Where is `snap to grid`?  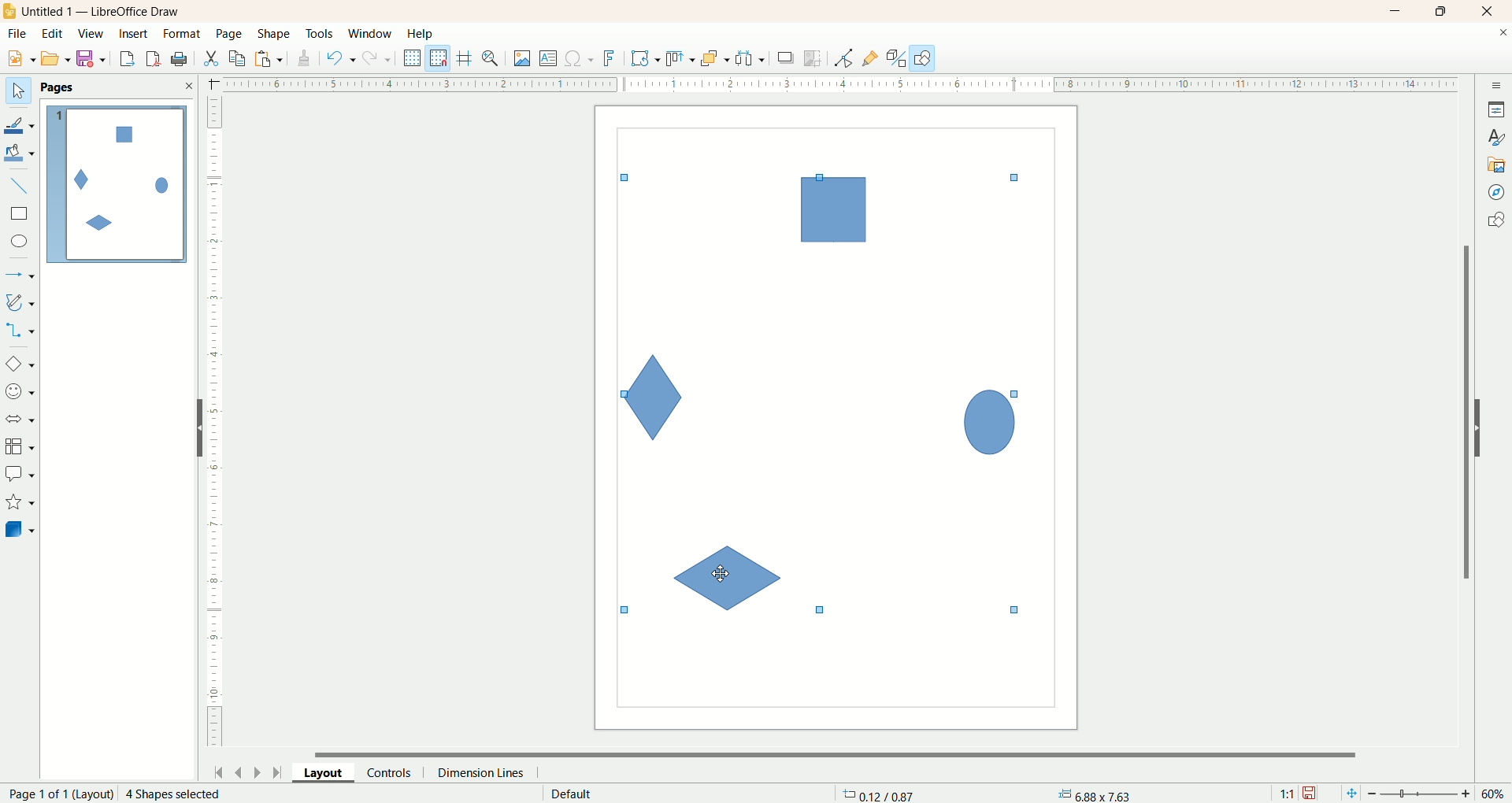
snap to grid is located at coordinates (442, 58).